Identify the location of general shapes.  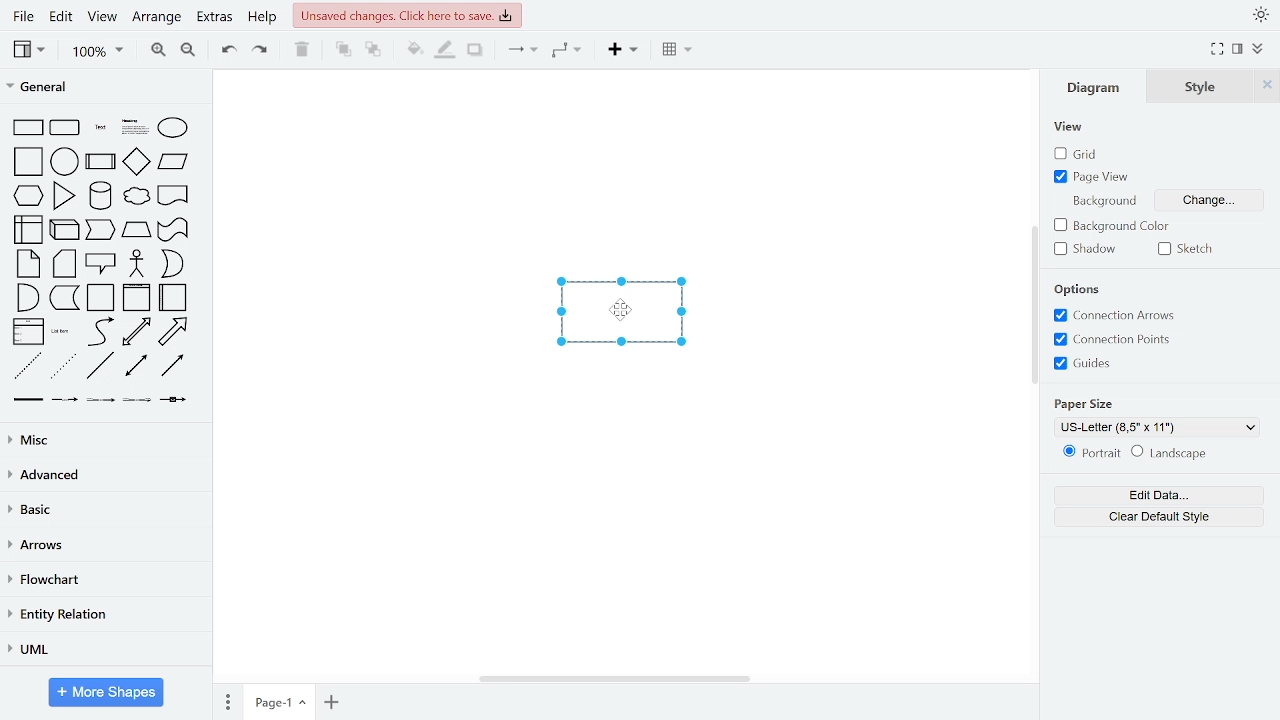
(63, 126).